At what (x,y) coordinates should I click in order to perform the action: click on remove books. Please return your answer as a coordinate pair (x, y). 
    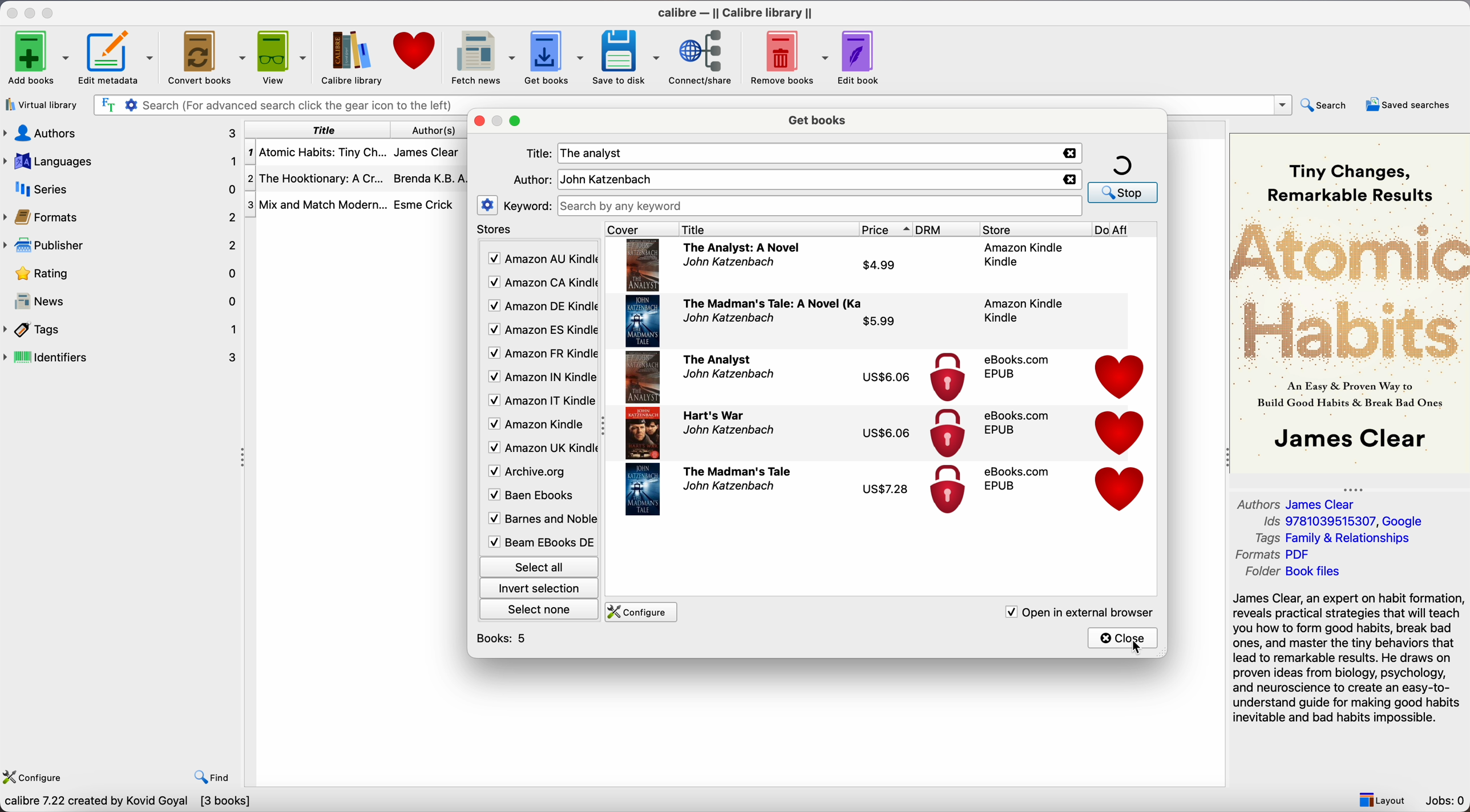
    Looking at the image, I should click on (789, 57).